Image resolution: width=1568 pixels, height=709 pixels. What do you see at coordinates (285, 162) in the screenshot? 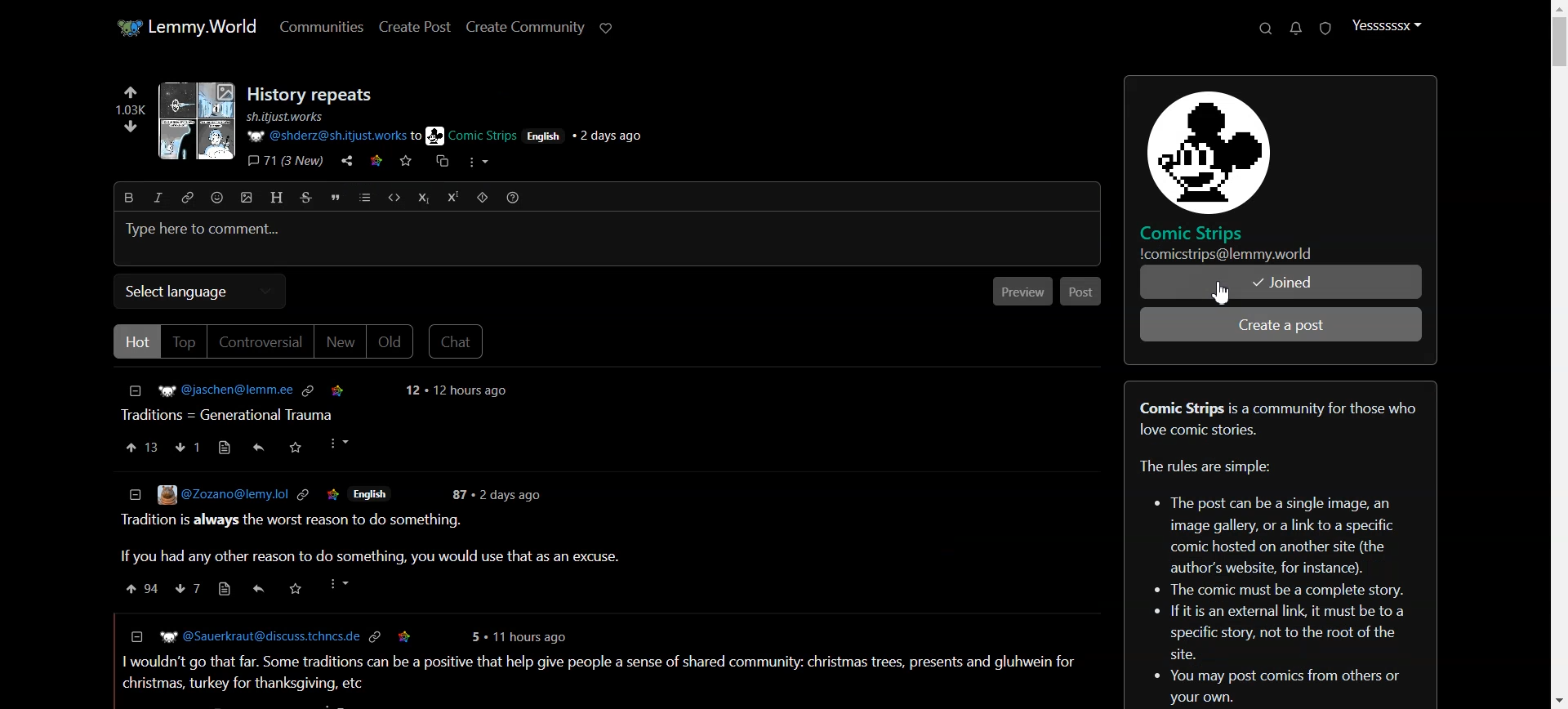
I see `71(3 New)` at bounding box center [285, 162].